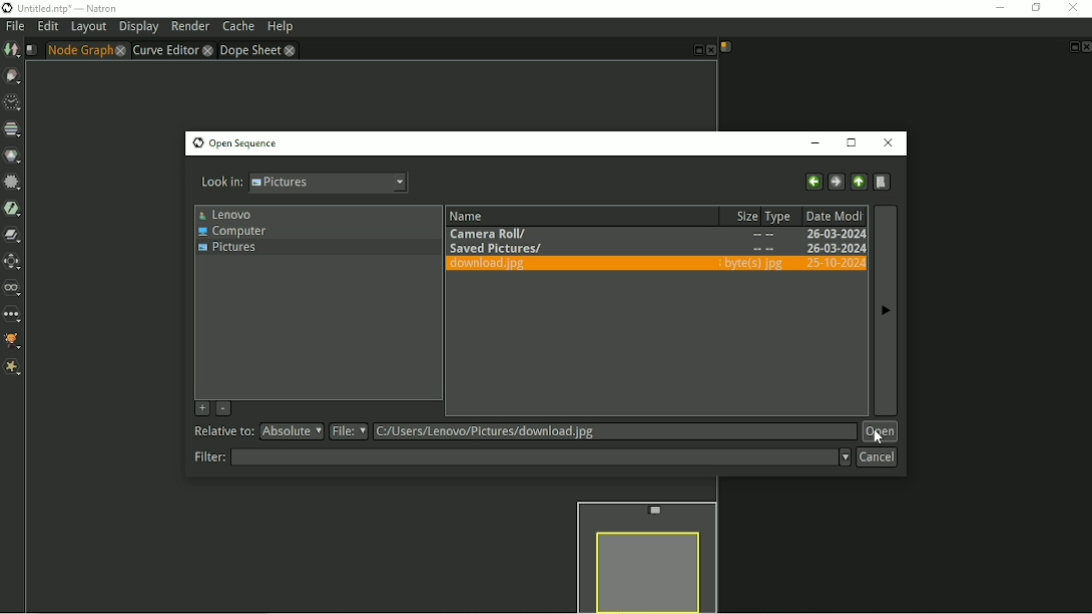 The width and height of the screenshot is (1092, 614). Describe the element at coordinates (490, 432) in the screenshot. I see `C:/Users/L enovo/Pictures/download.|pg` at that location.